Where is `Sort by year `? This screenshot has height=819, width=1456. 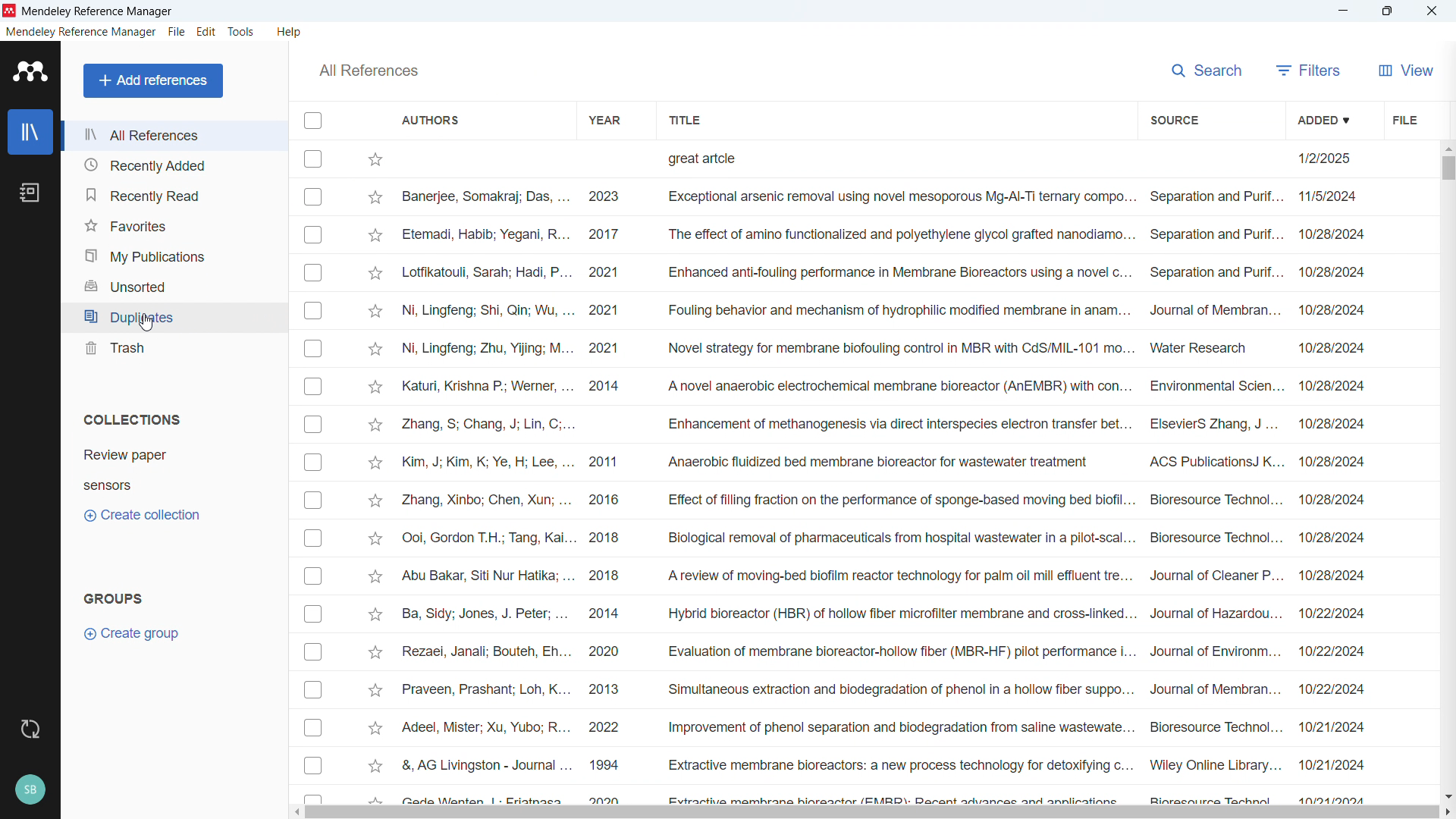 Sort by year  is located at coordinates (603, 119).